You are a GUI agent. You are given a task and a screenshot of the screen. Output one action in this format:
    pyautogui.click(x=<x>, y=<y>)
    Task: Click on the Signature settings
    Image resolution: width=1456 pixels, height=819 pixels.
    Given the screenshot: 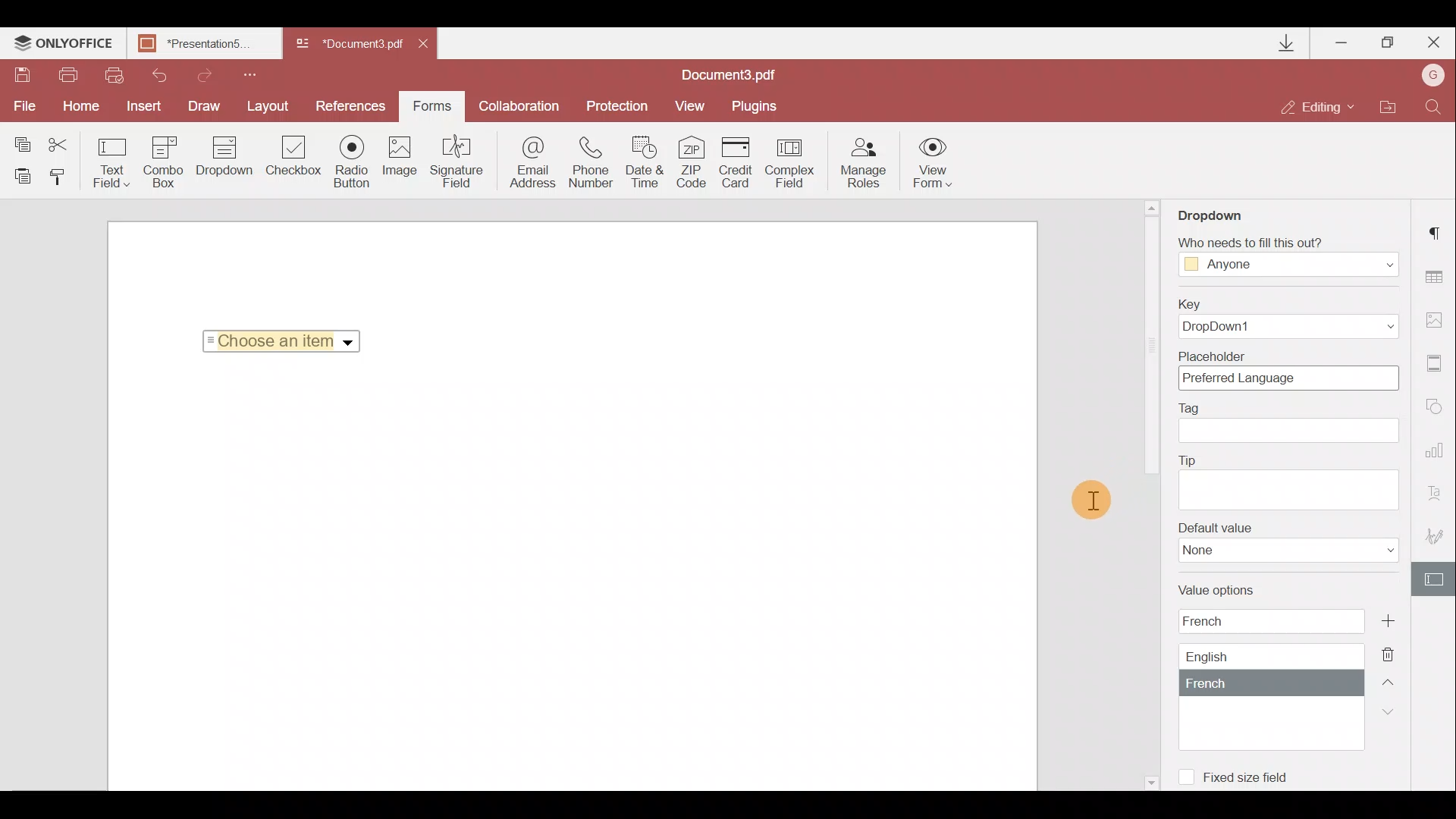 What is the action you would take?
    pyautogui.click(x=1438, y=540)
    